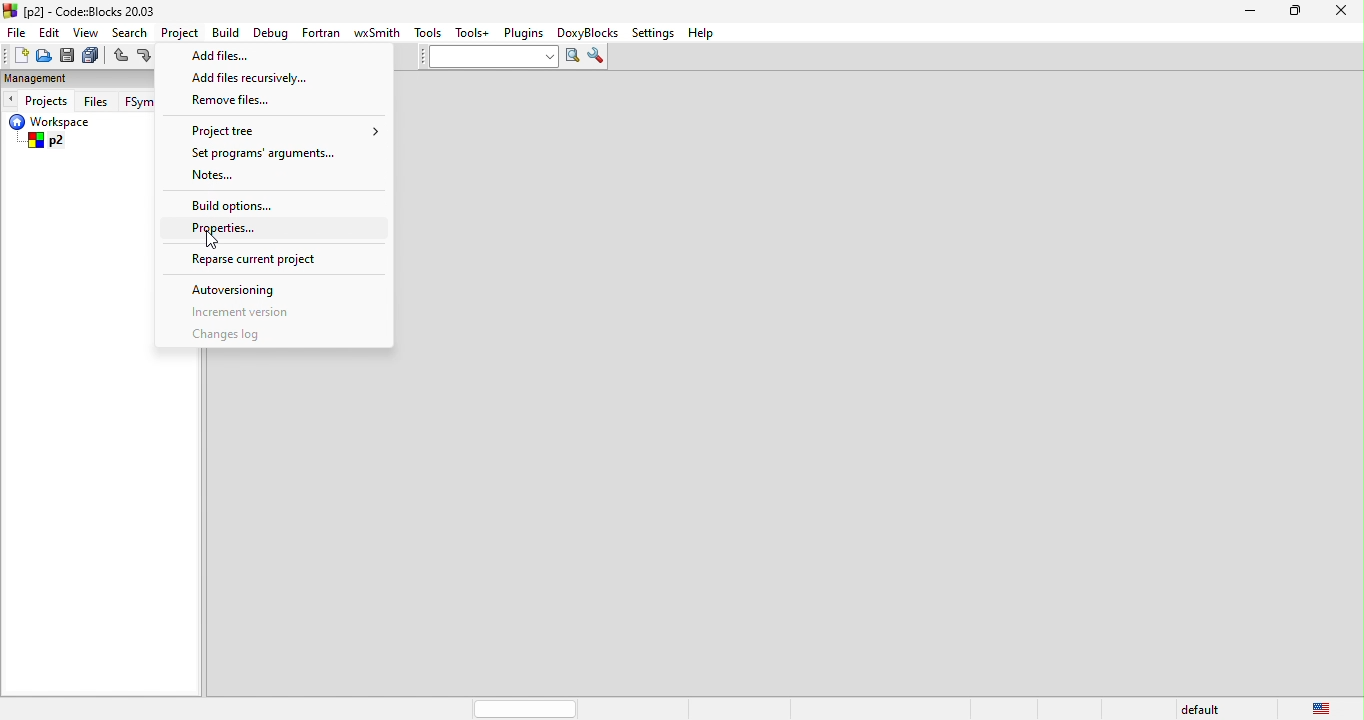 The width and height of the screenshot is (1364, 720). What do you see at coordinates (92, 56) in the screenshot?
I see `save everything` at bounding box center [92, 56].